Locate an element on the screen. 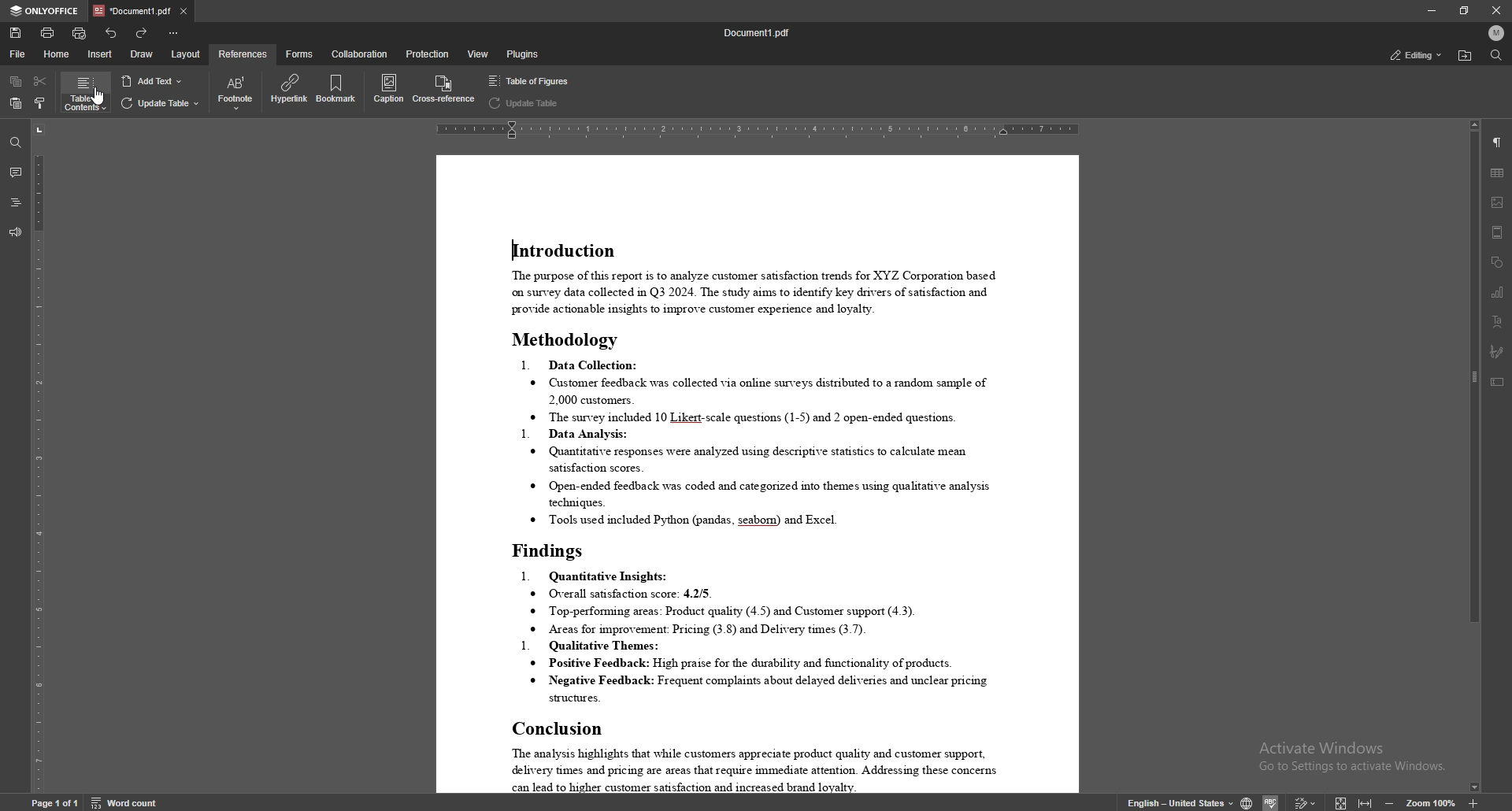  comment is located at coordinates (16, 172).